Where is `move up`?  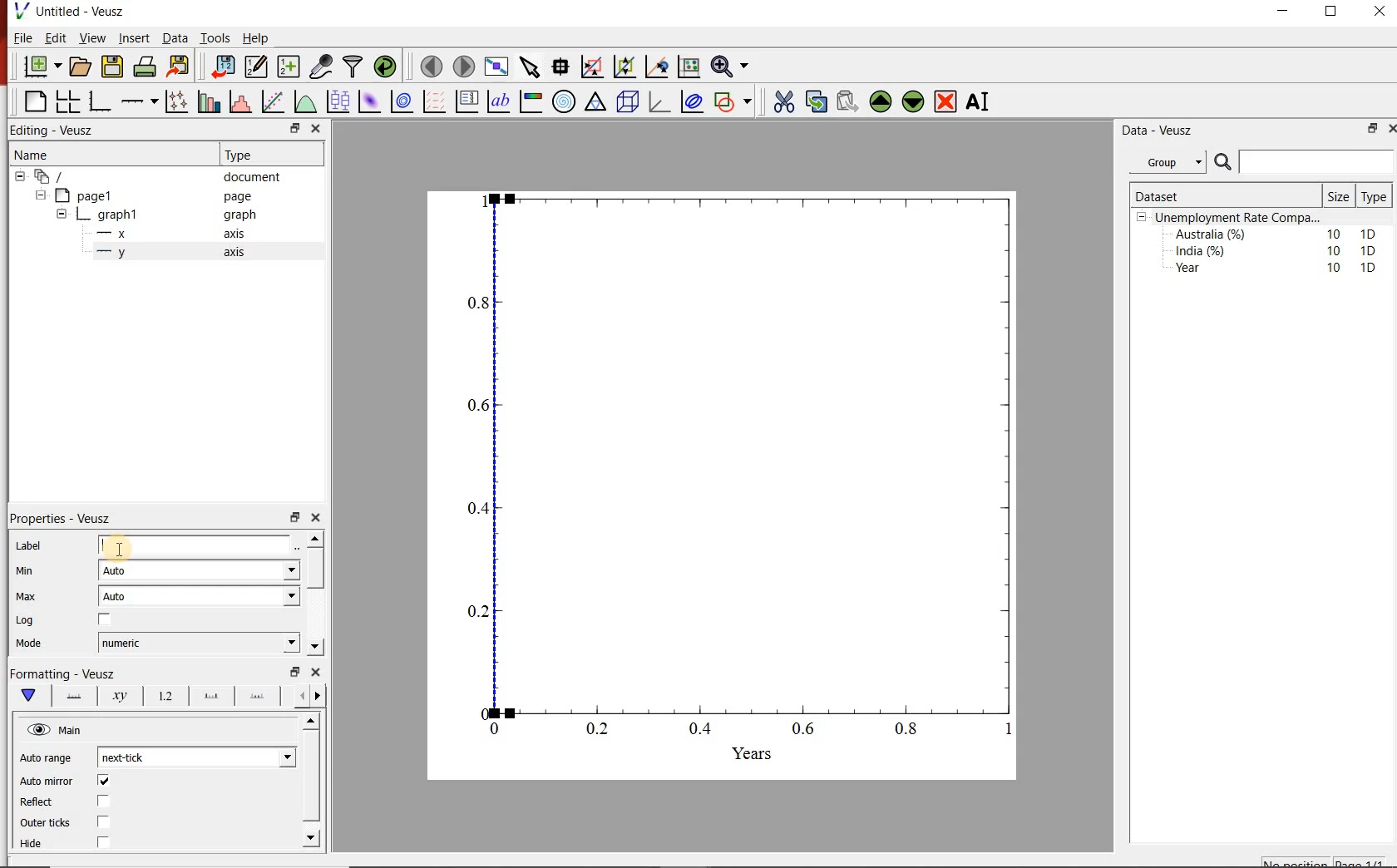
move up is located at coordinates (315, 538).